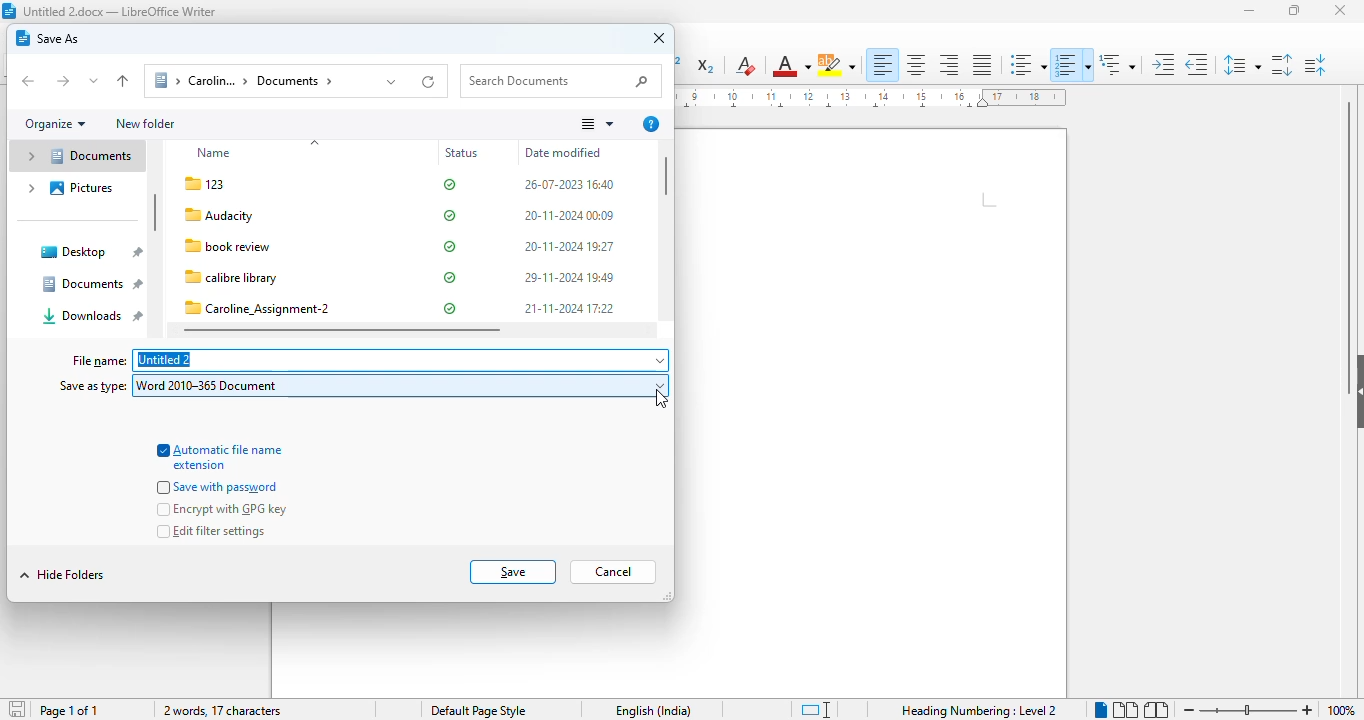 The height and width of the screenshot is (720, 1364). What do you see at coordinates (401, 361) in the screenshot?
I see `untitled 2` at bounding box center [401, 361].